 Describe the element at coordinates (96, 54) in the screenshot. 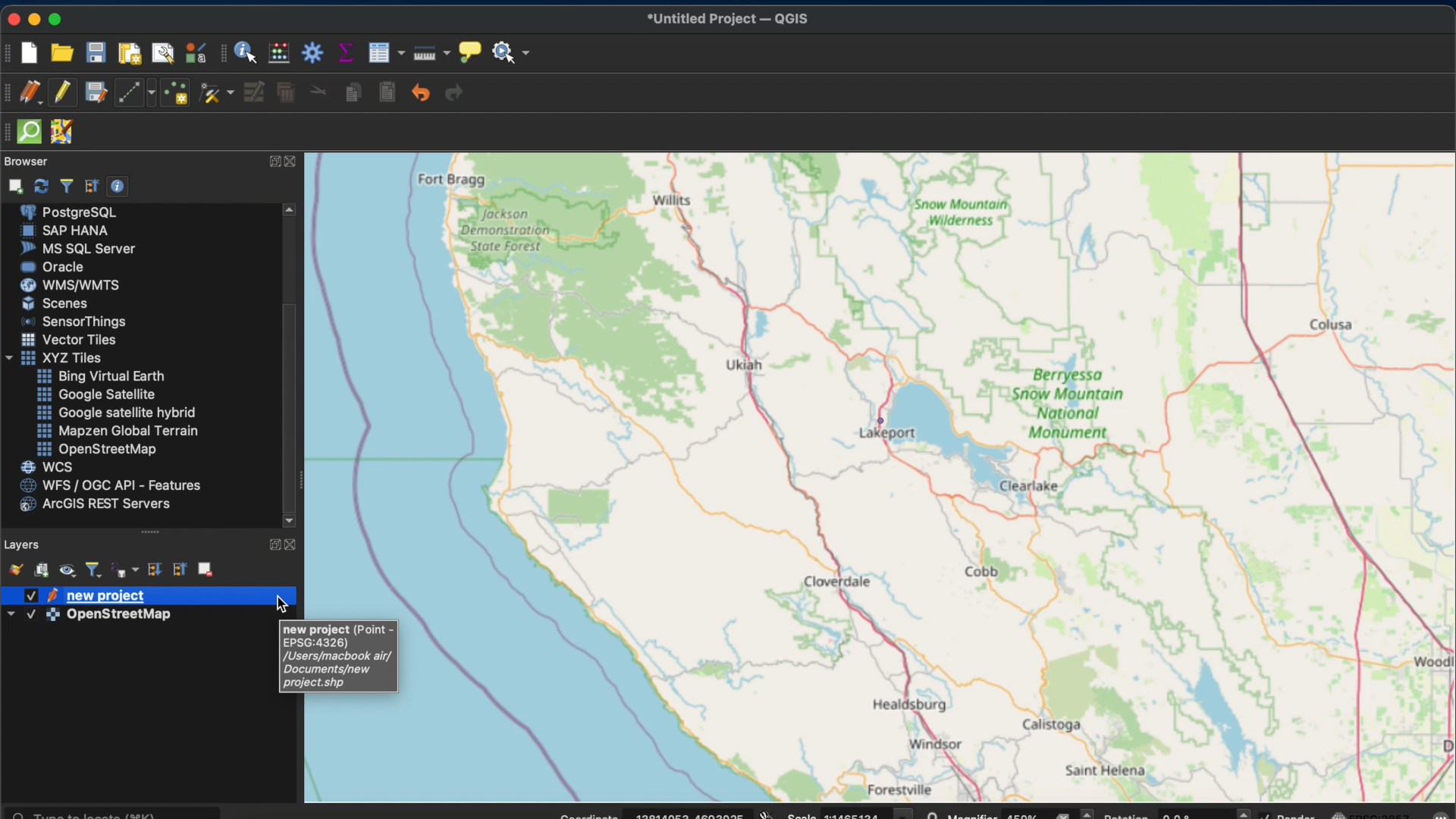

I see `save project` at that location.